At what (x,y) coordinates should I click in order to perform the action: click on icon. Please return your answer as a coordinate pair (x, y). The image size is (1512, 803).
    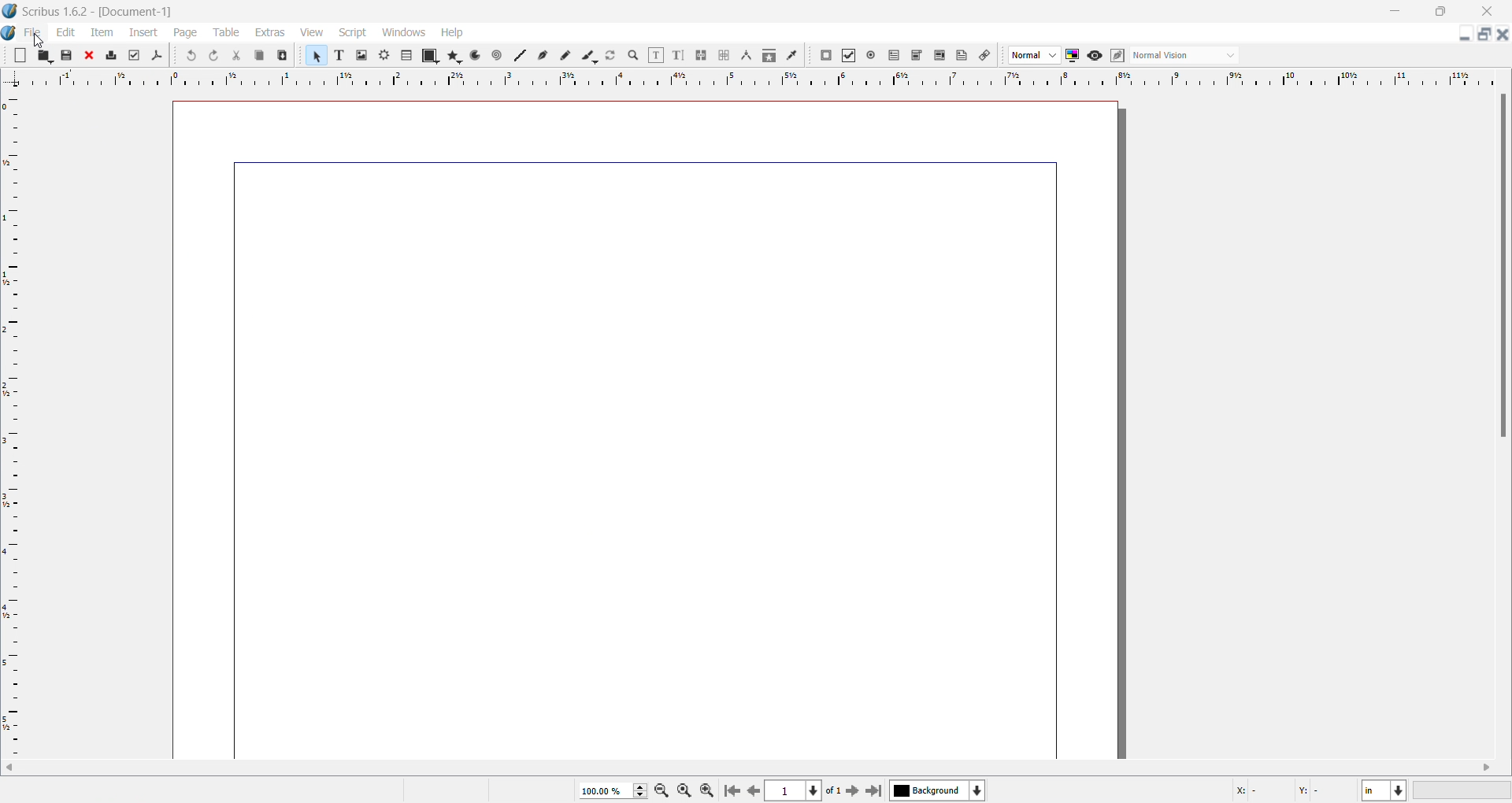
    Looking at the image, I should click on (474, 56).